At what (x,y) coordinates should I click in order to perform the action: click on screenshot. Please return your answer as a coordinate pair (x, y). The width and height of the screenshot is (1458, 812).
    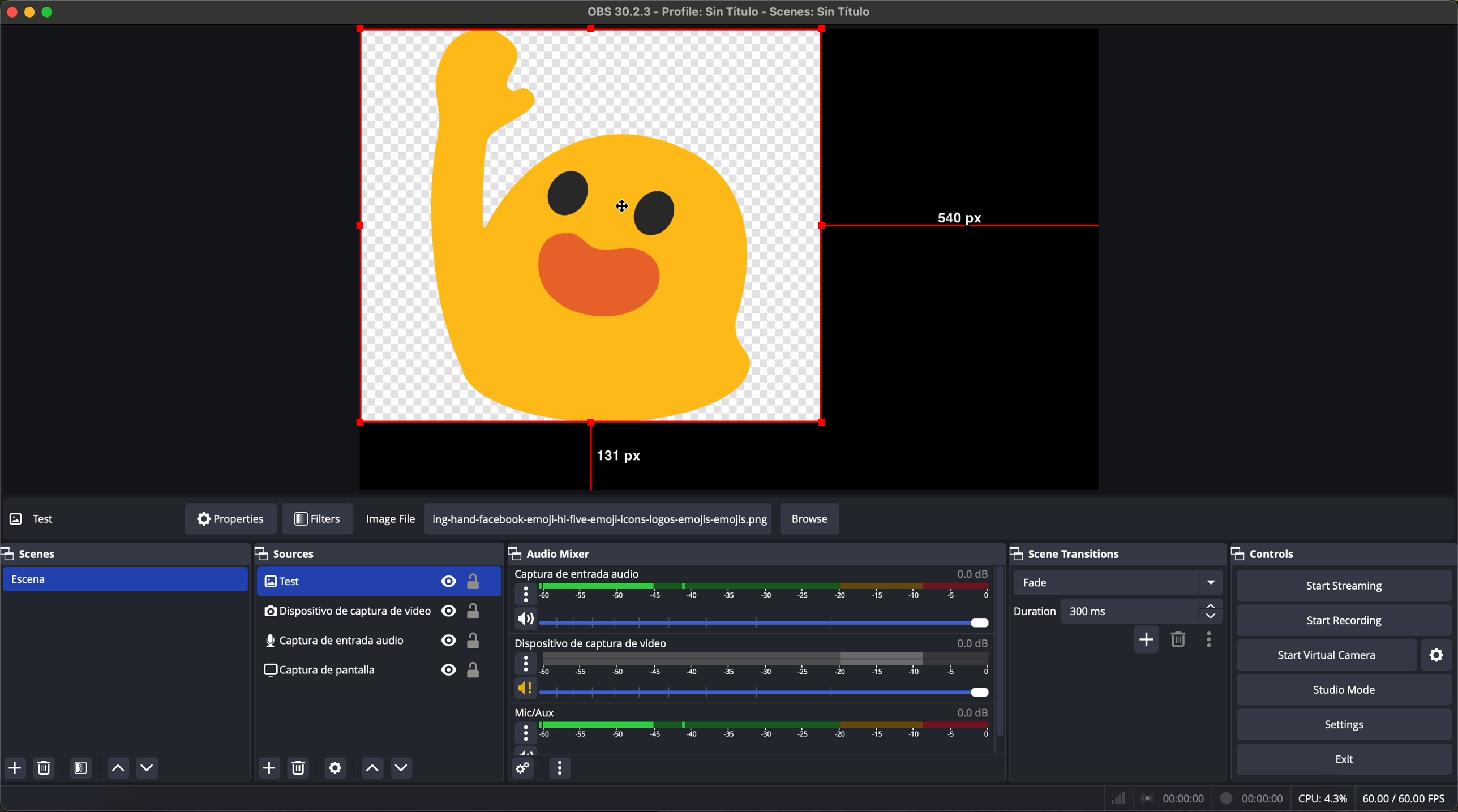
    Looking at the image, I should click on (371, 675).